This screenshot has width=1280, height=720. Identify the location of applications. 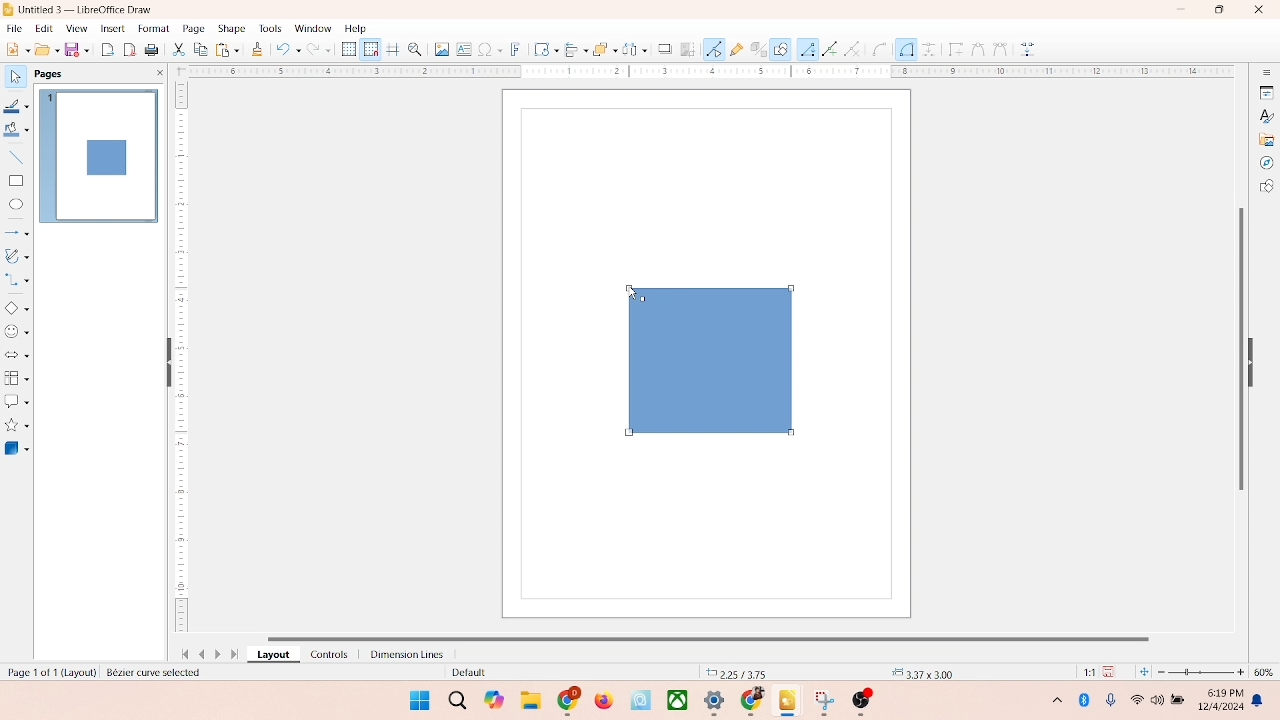
(721, 702).